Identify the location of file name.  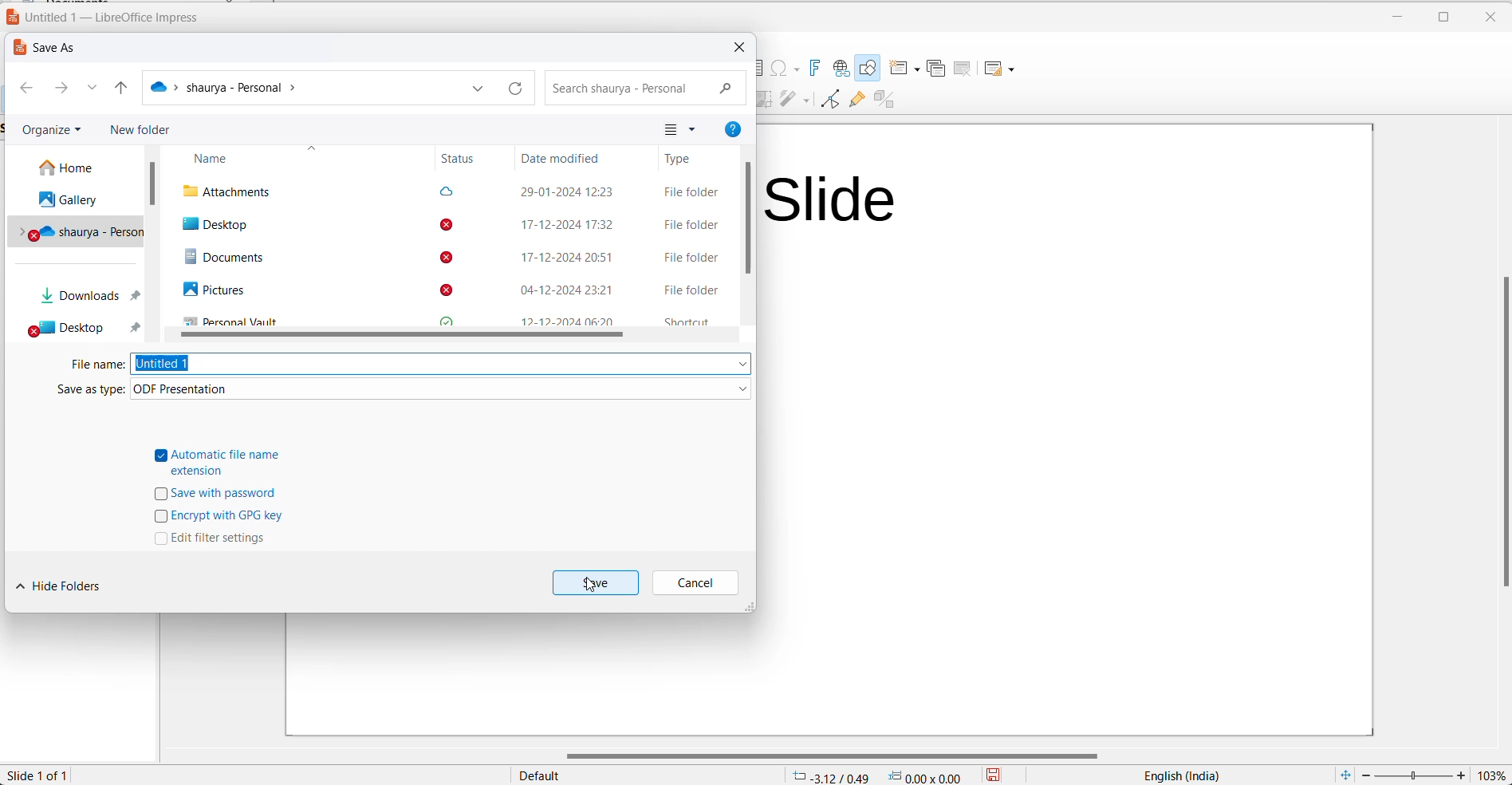
(97, 365).